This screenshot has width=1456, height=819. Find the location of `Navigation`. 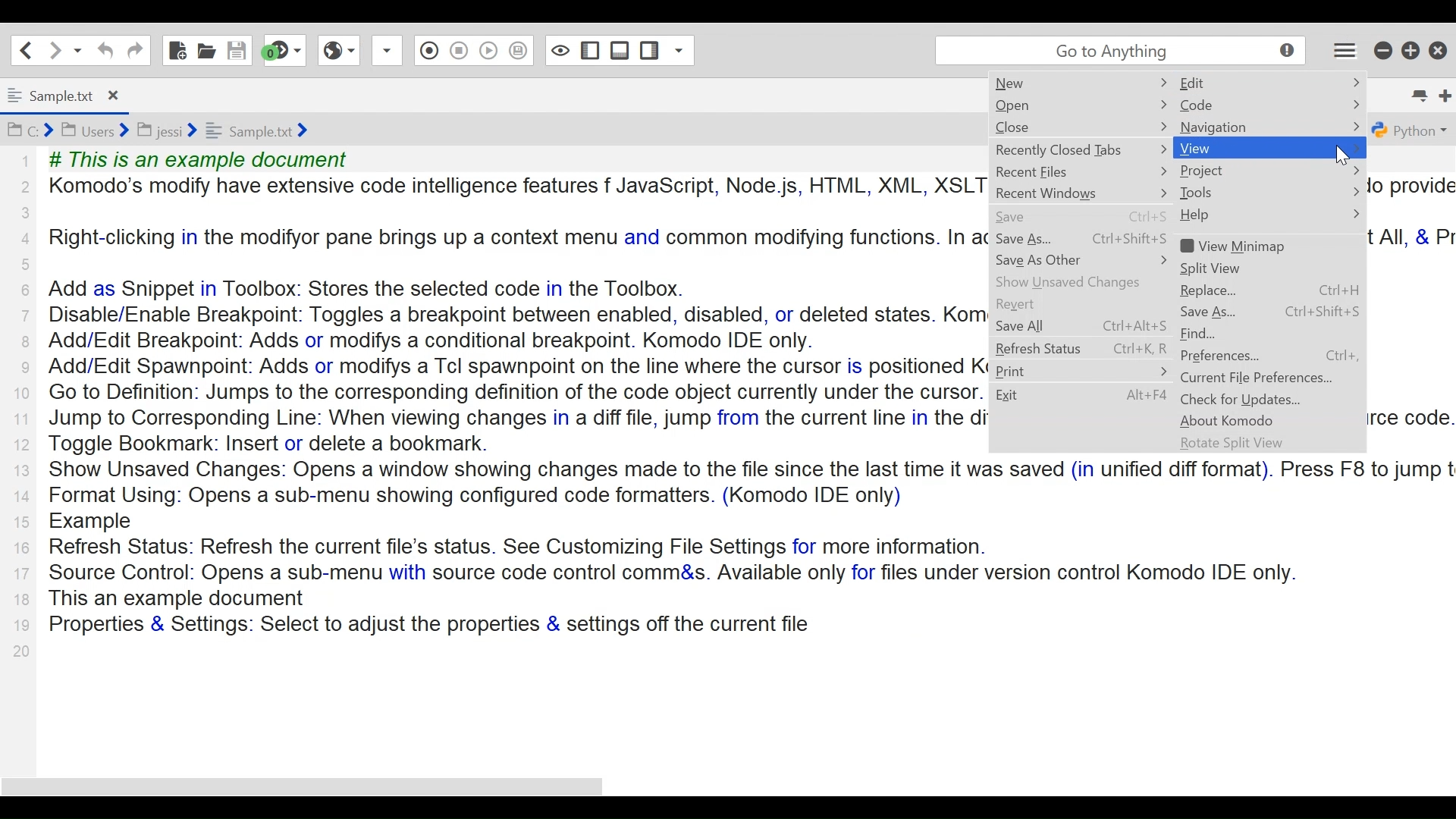

Navigation is located at coordinates (1222, 127).